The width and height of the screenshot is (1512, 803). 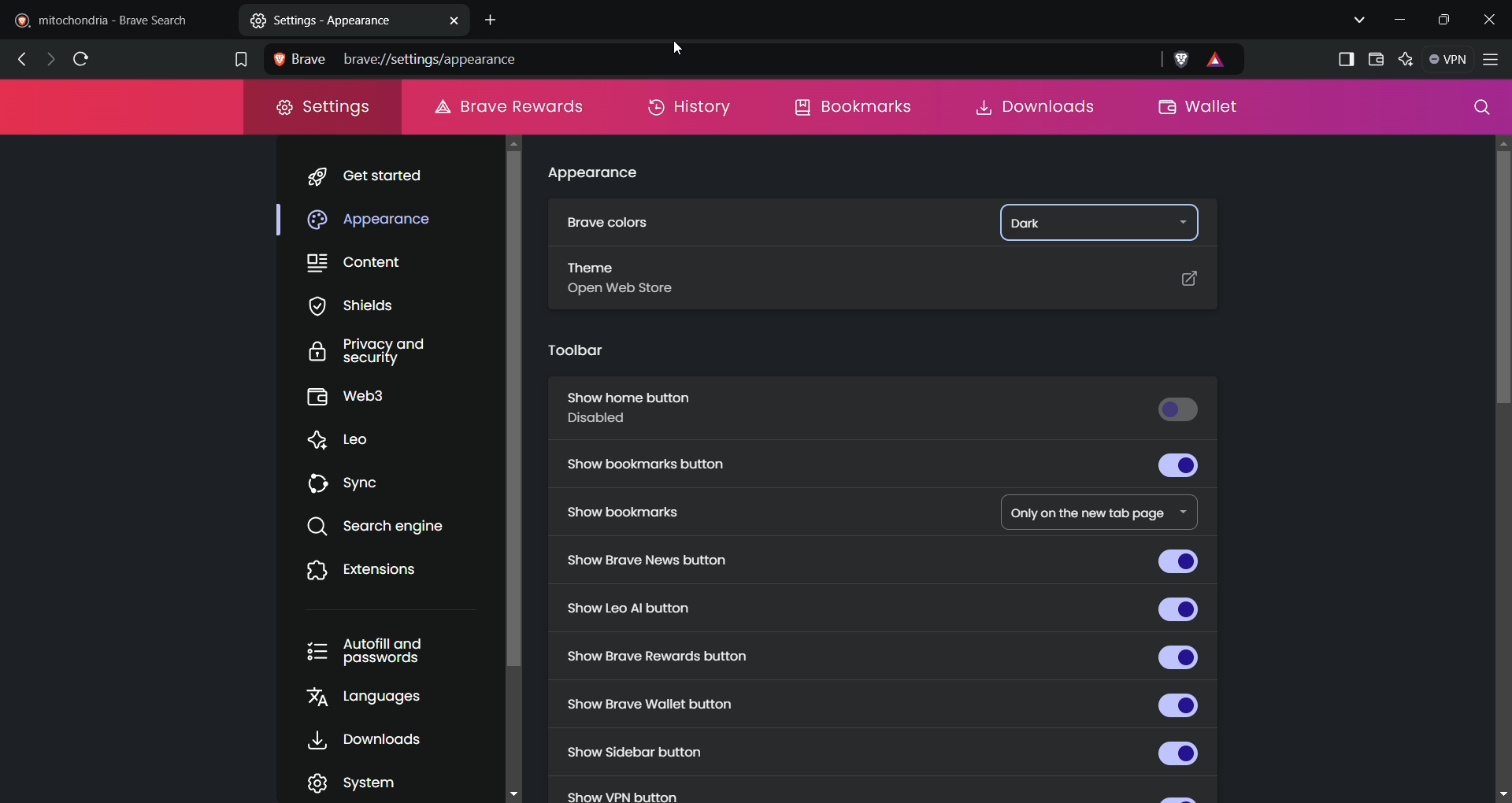 What do you see at coordinates (598, 176) in the screenshot?
I see `appearance` at bounding box center [598, 176].